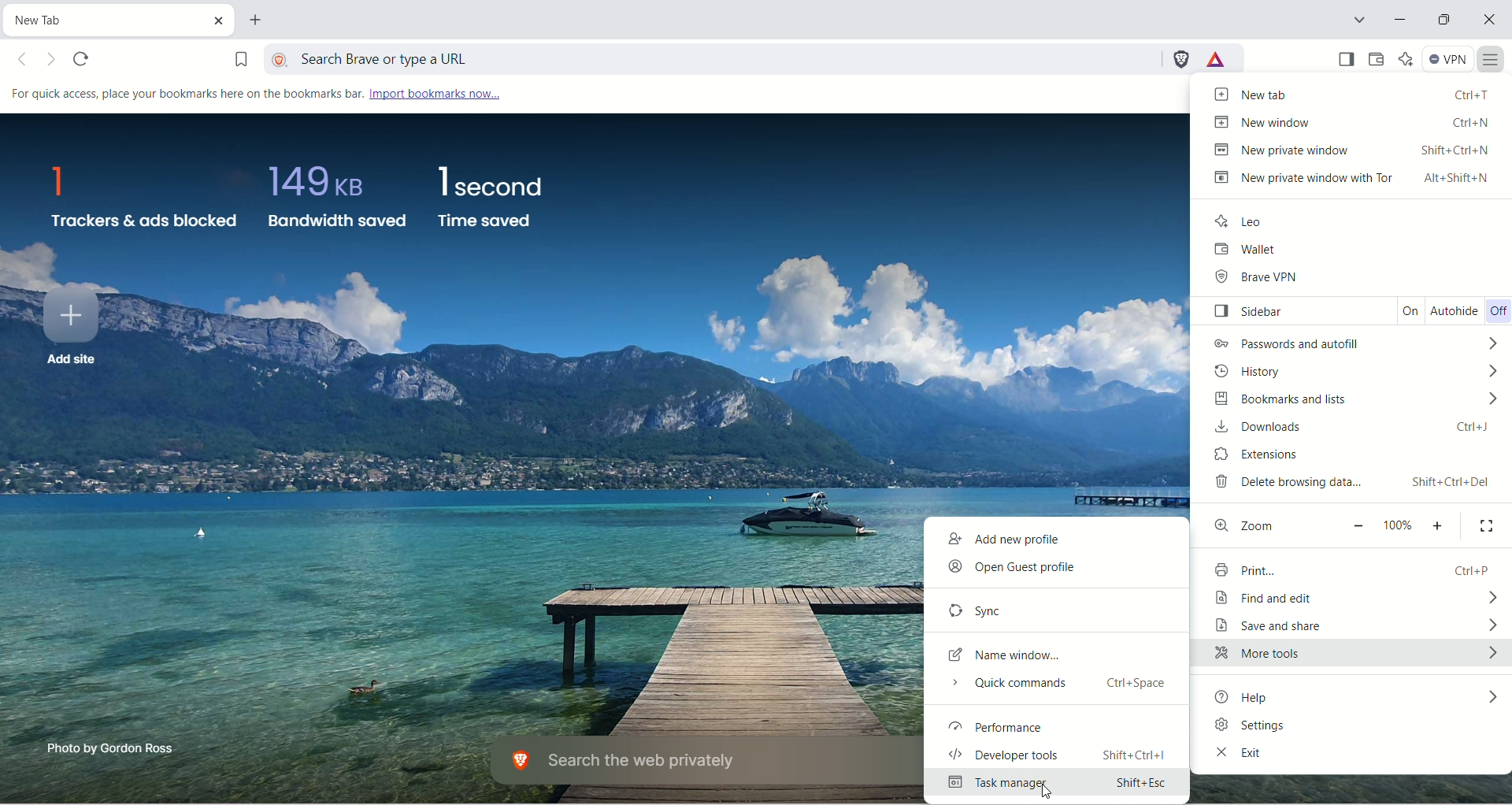 The height and width of the screenshot is (805, 1512). I want to click on bookmarks and lists, so click(1347, 399).